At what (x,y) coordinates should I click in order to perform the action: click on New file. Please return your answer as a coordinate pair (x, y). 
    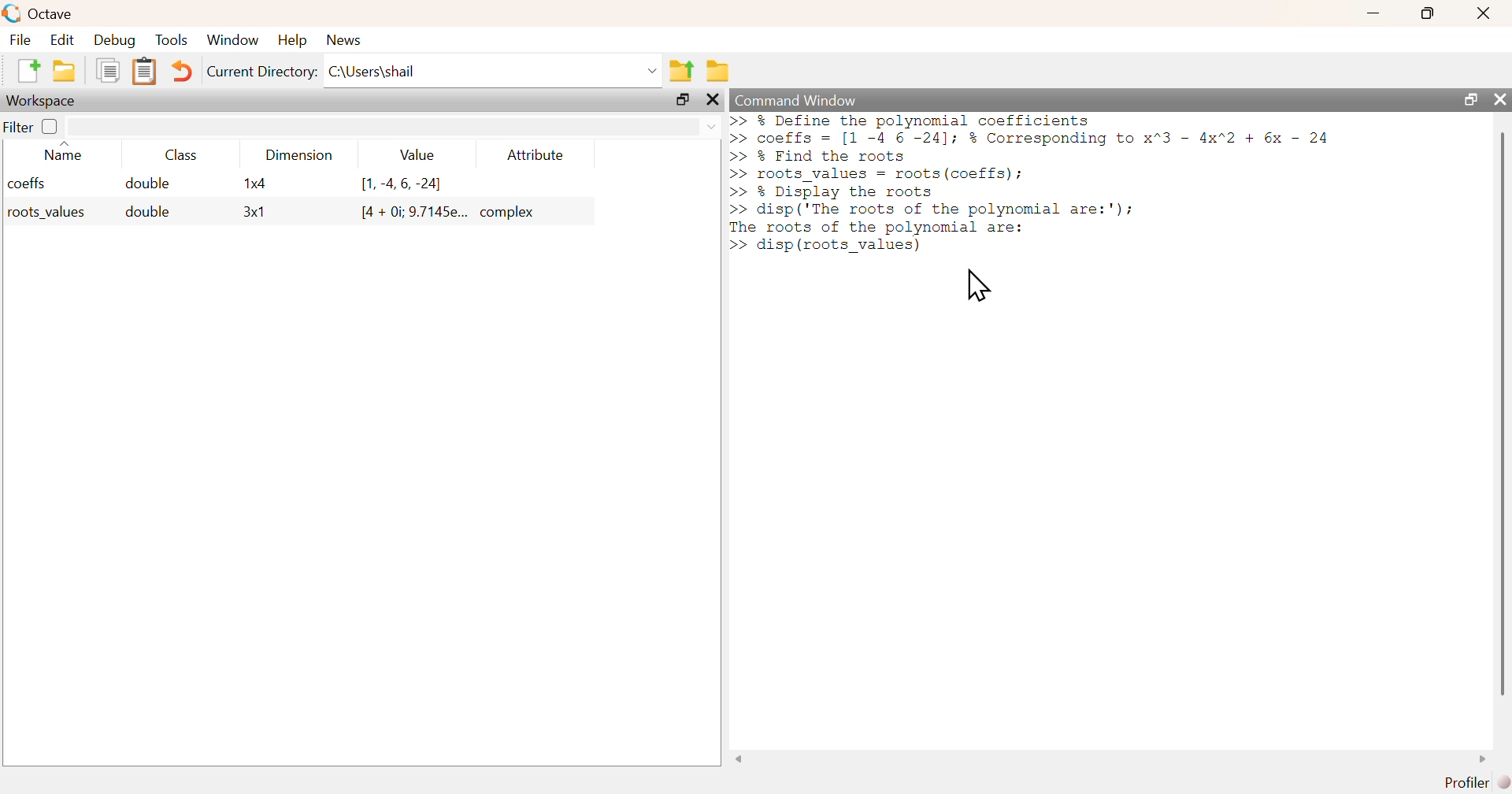
    Looking at the image, I should click on (26, 71).